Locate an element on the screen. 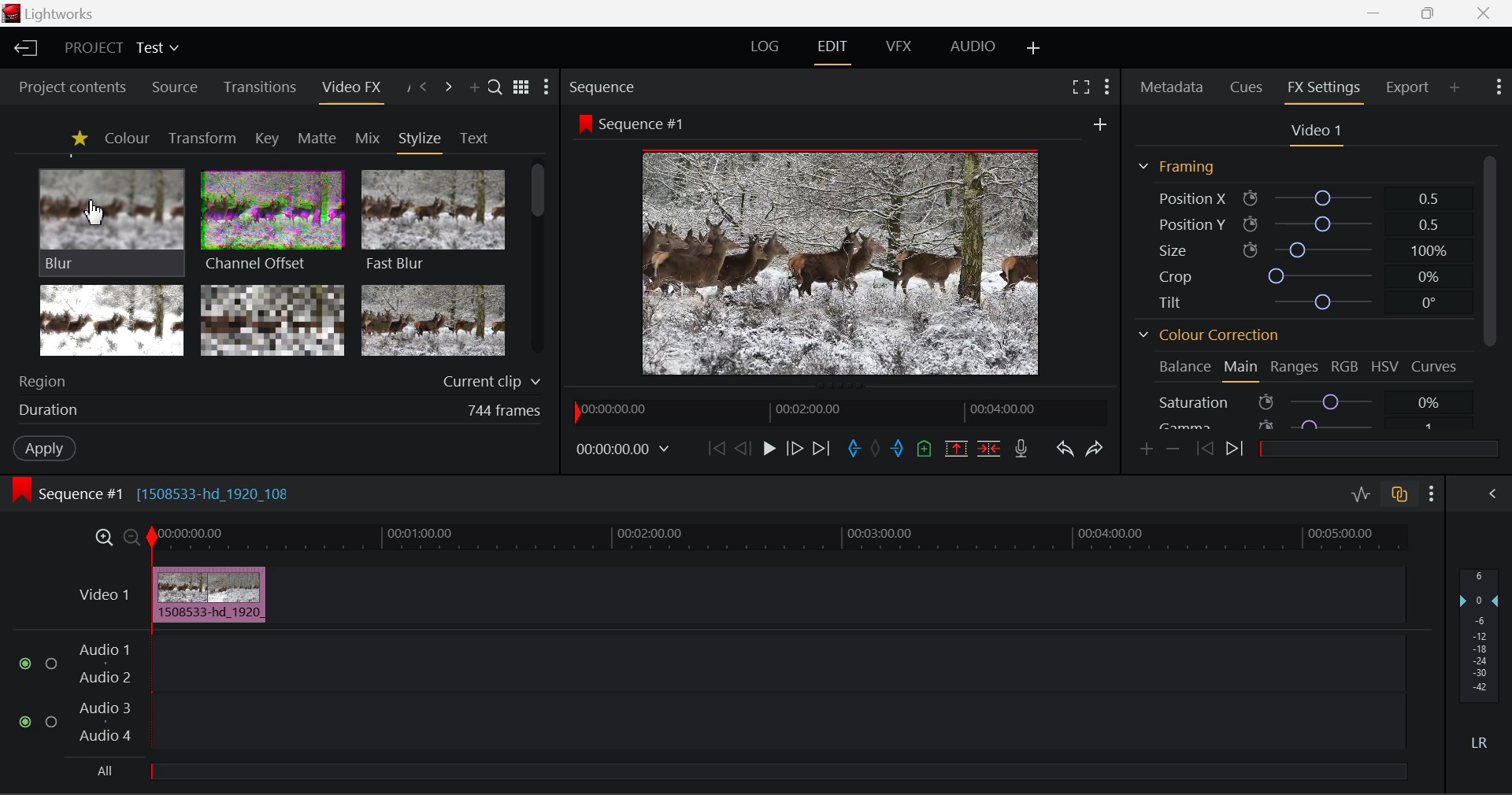  Cues is located at coordinates (1249, 88).